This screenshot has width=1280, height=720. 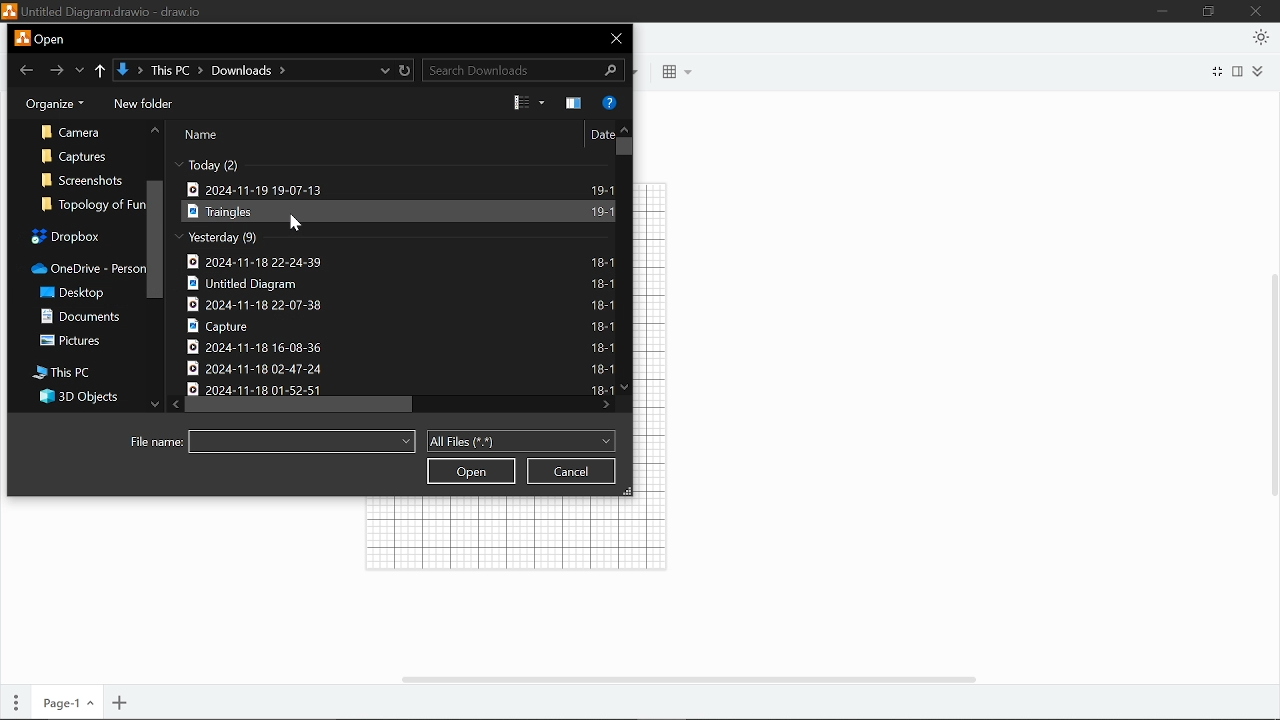 I want to click on Show the preview pane, so click(x=573, y=103).